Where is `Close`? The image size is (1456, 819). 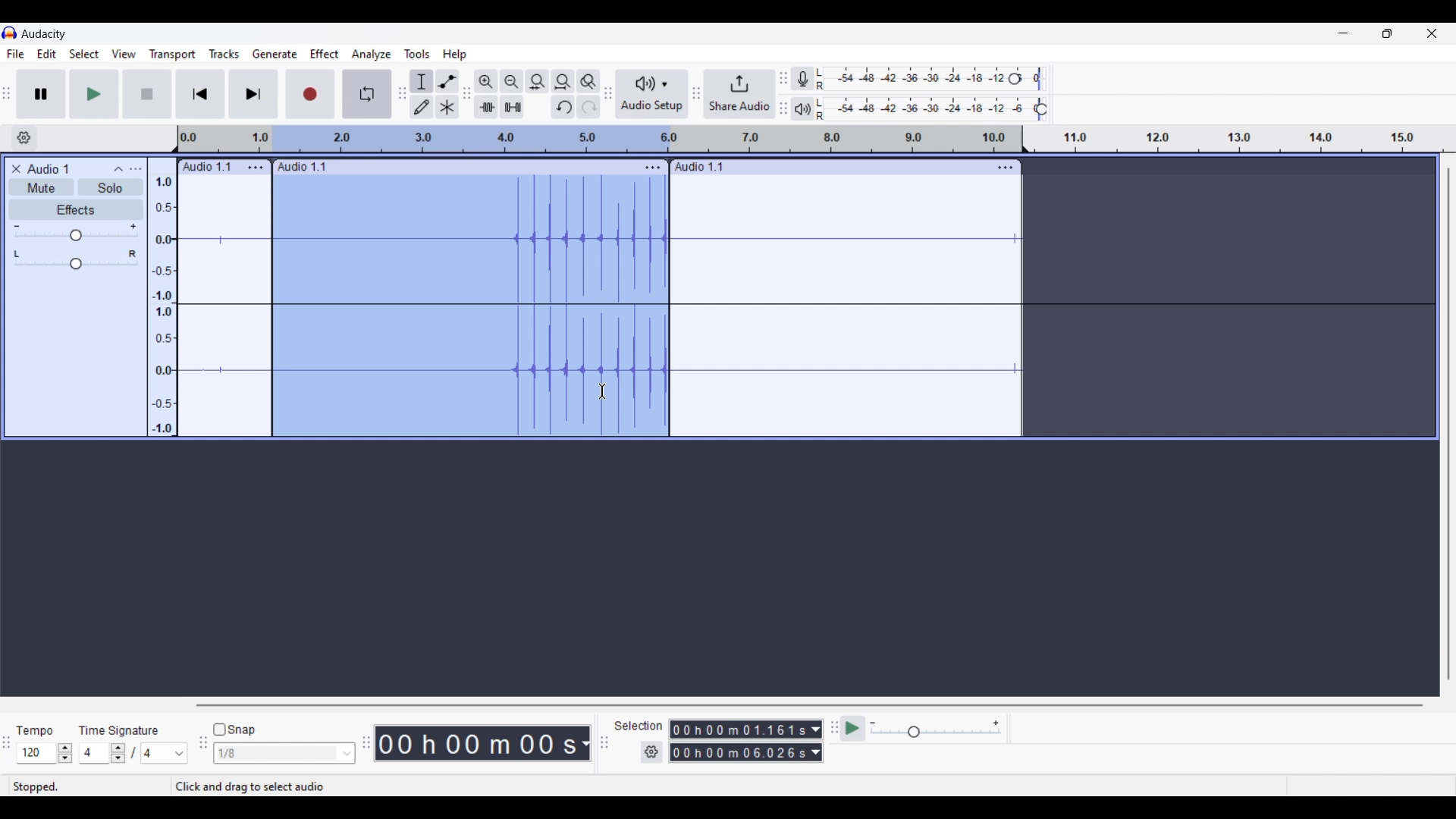
Close is located at coordinates (16, 169).